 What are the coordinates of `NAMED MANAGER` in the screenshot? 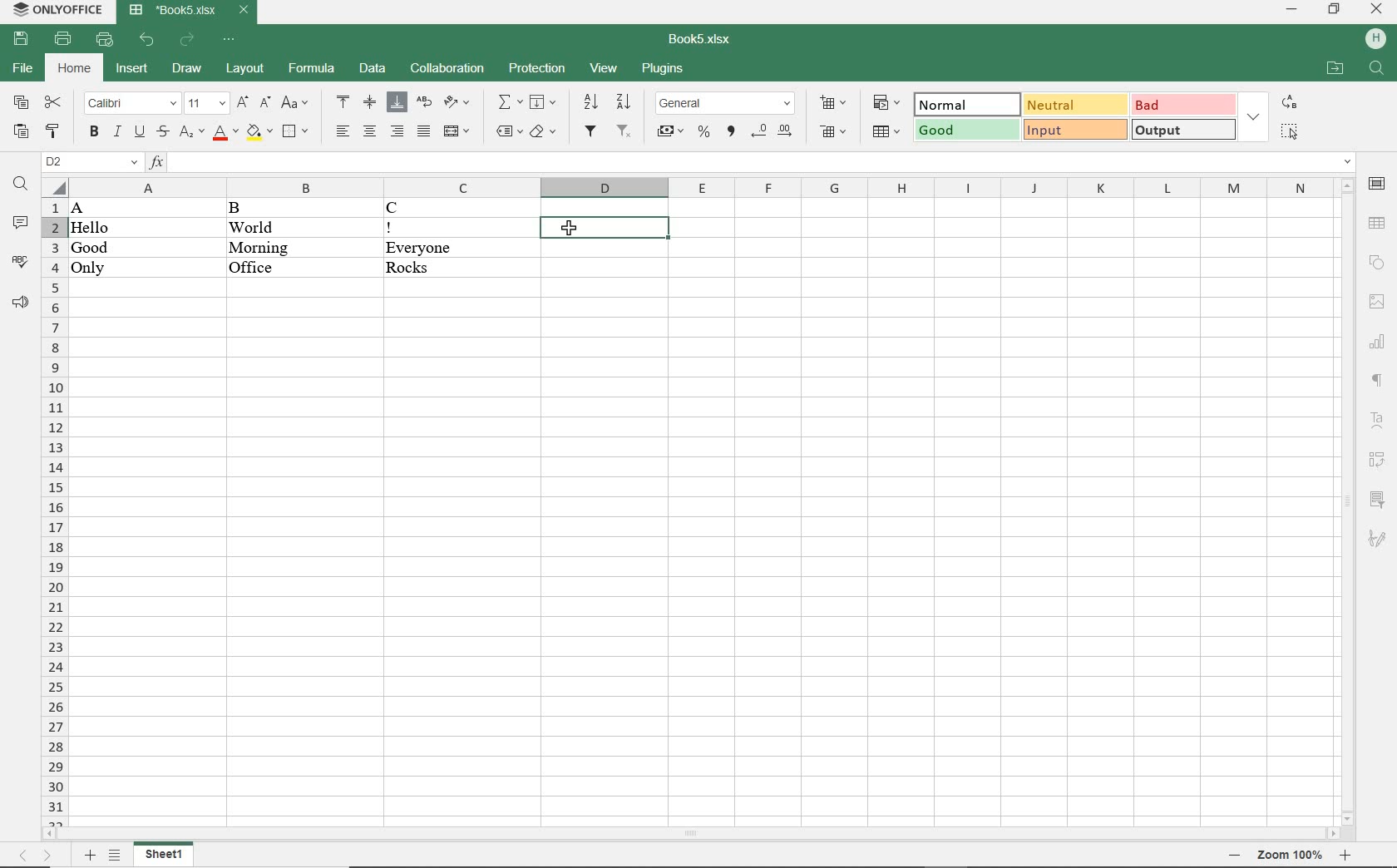 It's located at (91, 162).